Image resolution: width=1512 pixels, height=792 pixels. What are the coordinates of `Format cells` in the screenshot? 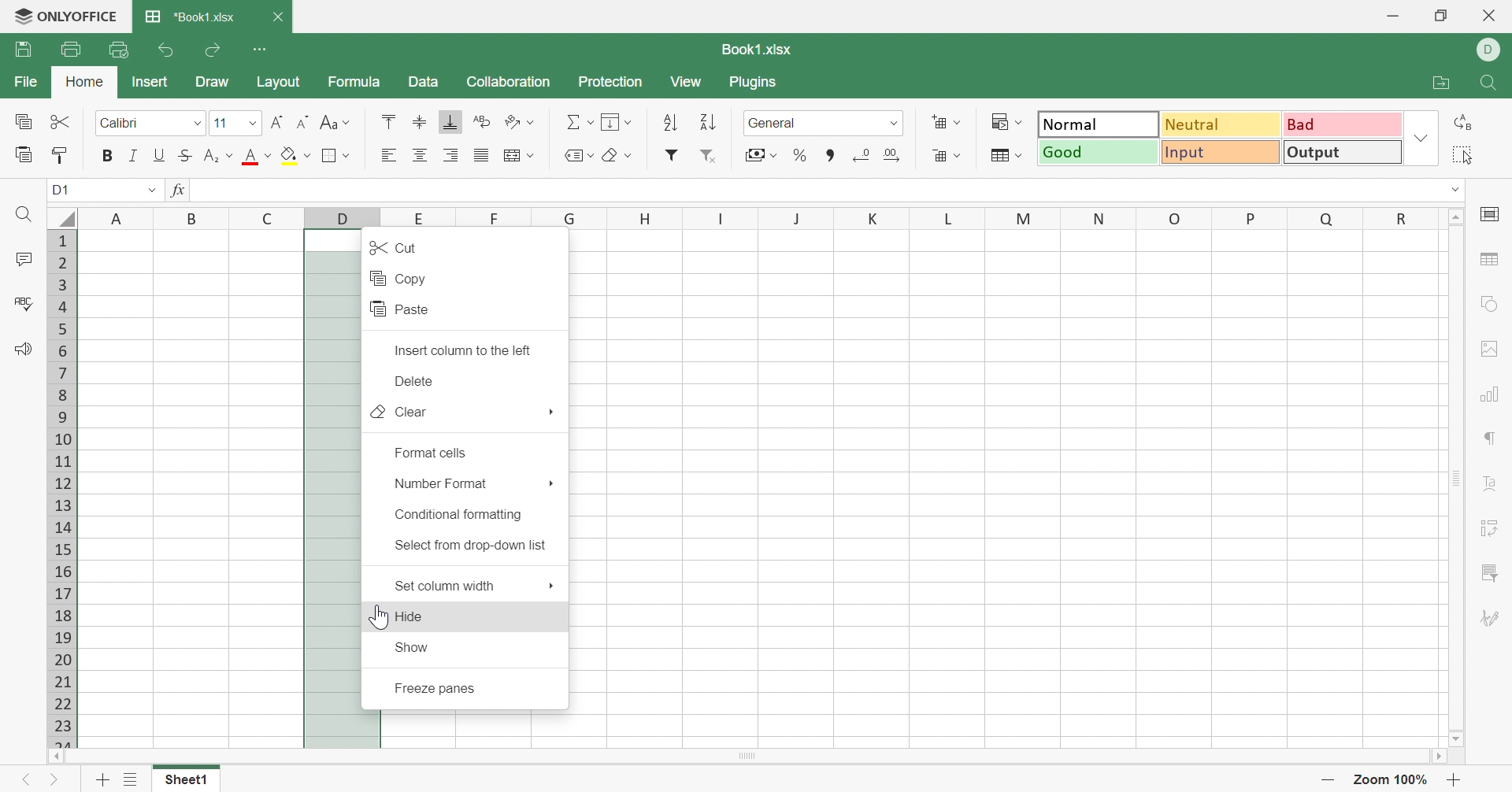 It's located at (434, 451).